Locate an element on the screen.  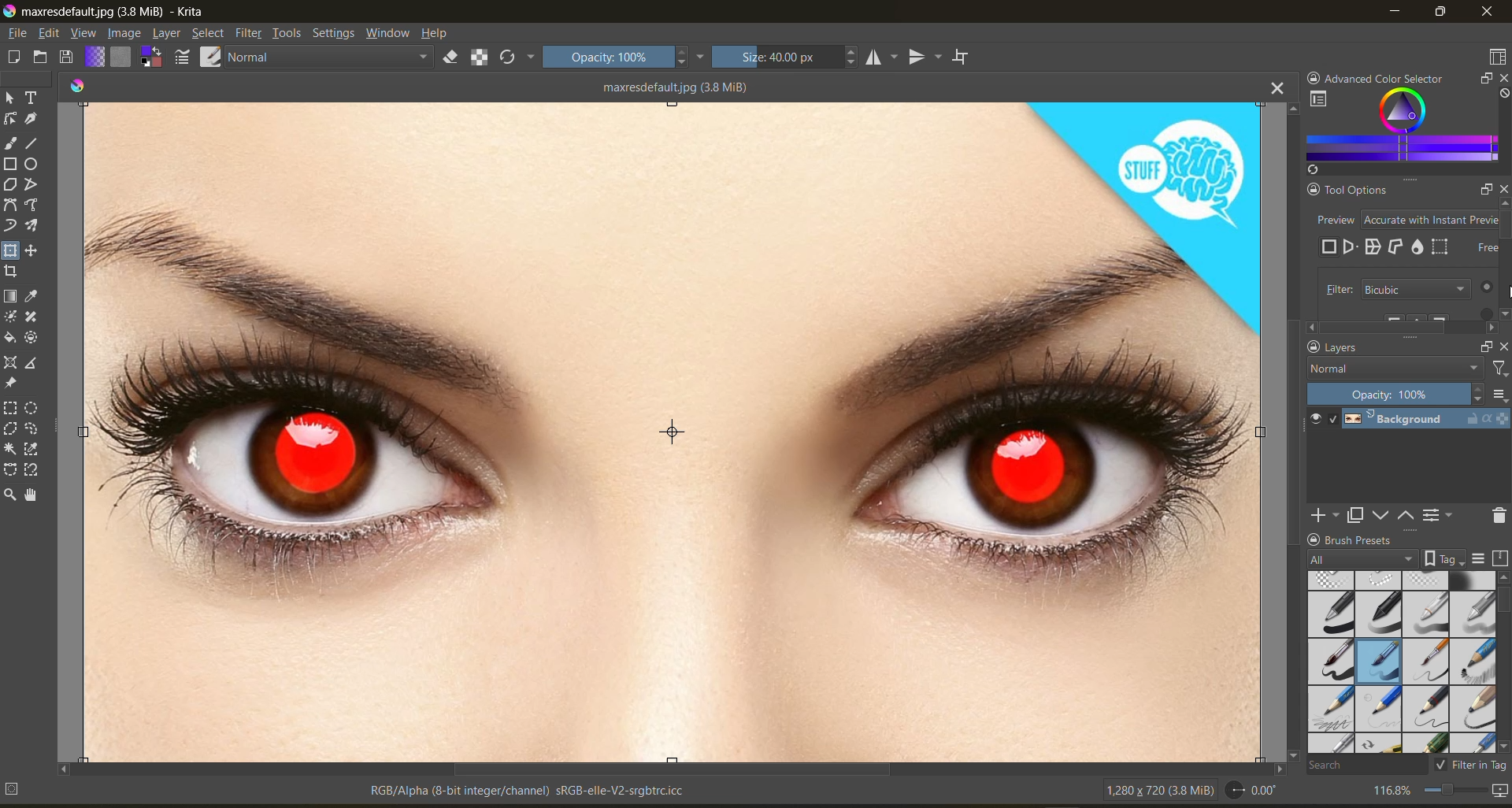
tool is located at coordinates (11, 164).